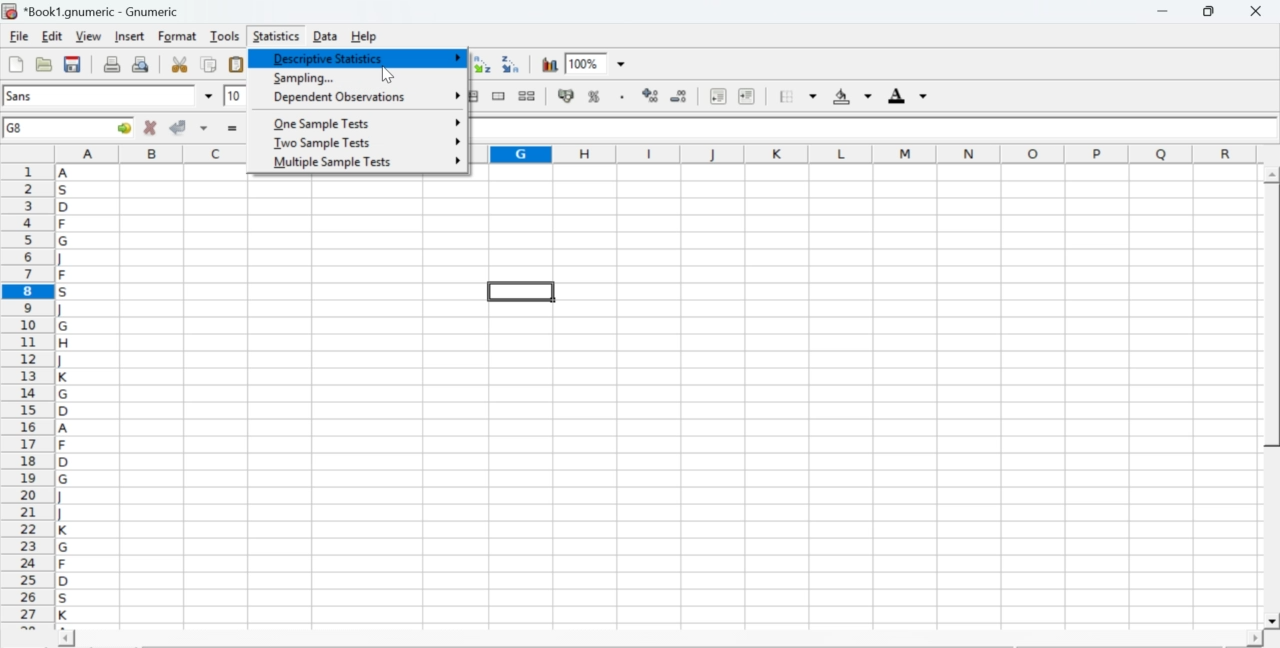  I want to click on scroll bar, so click(1272, 398).